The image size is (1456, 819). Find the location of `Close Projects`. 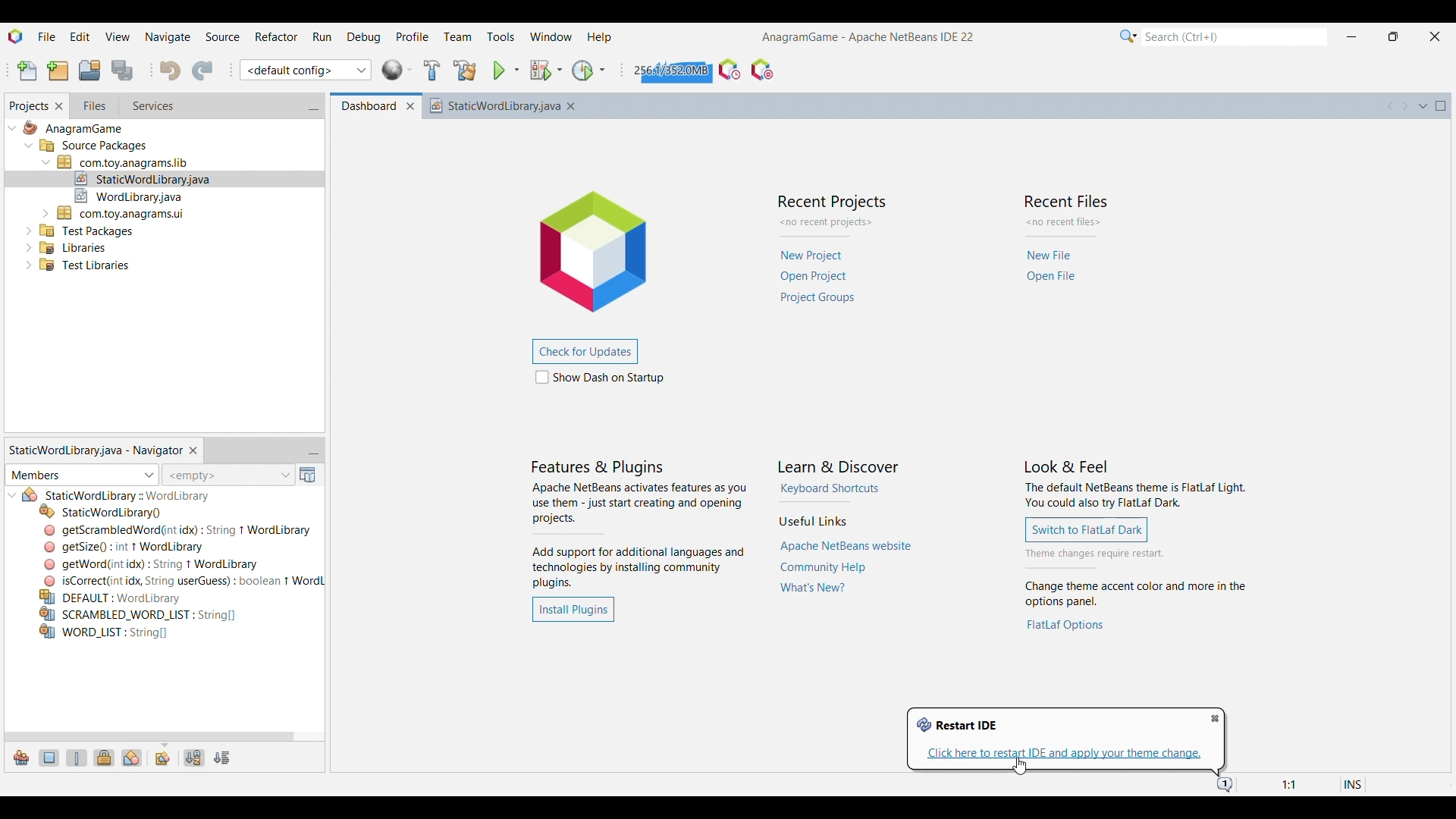

Close Projects is located at coordinates (59, 106).